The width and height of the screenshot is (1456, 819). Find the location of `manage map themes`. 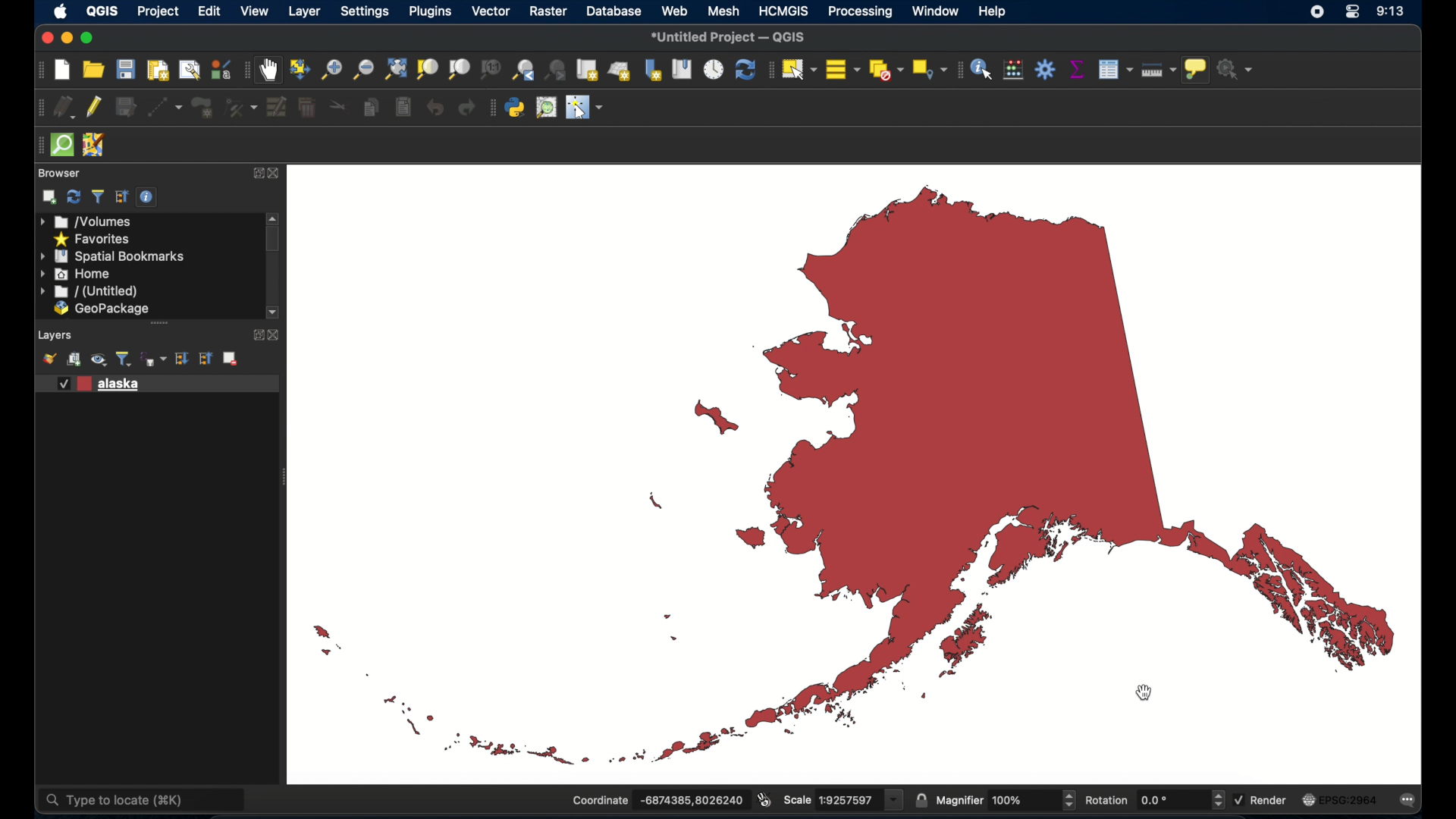

manage map themes is located at coordinates (99, 361).